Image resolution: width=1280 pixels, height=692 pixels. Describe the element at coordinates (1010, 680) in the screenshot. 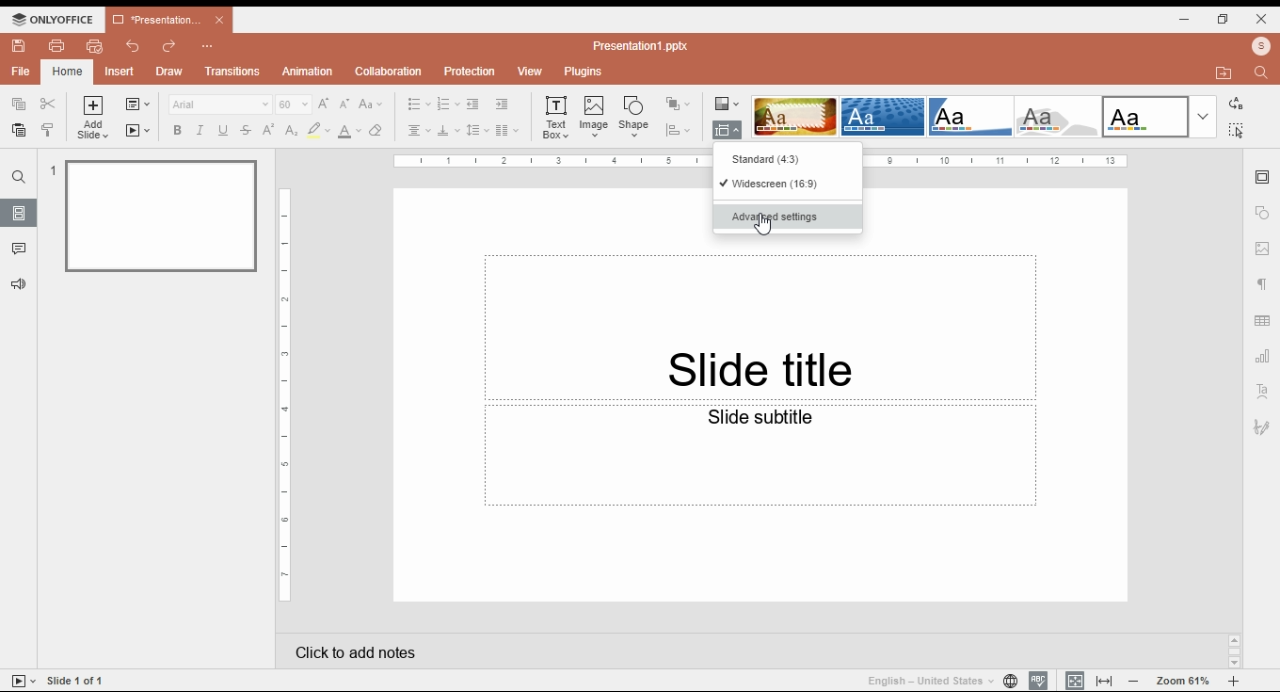

I see `set document language` at that location.